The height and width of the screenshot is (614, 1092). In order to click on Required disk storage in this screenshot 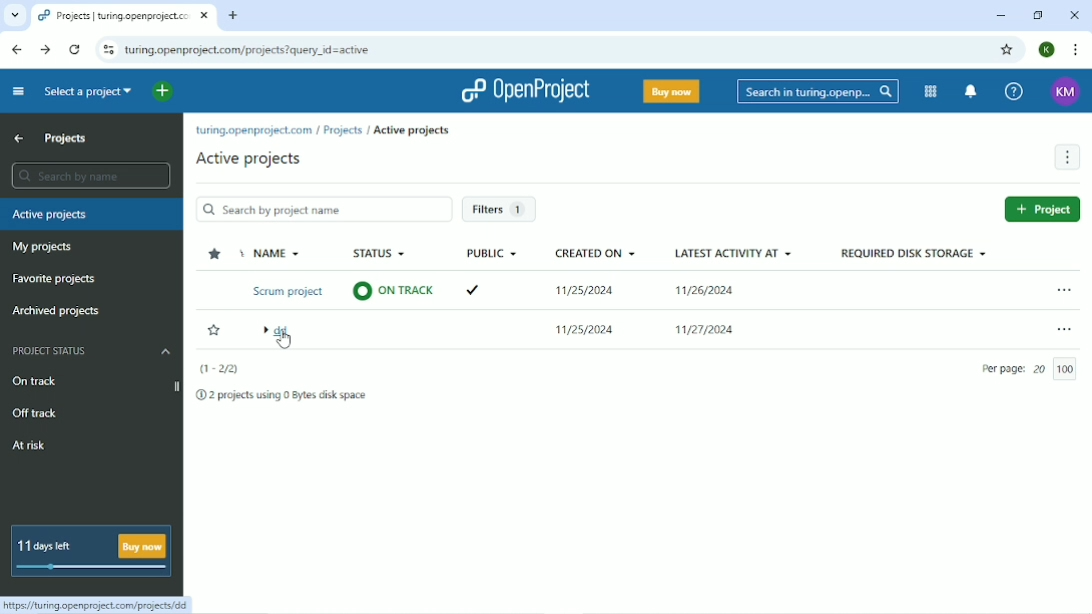, I will do `click(917, 254)`.